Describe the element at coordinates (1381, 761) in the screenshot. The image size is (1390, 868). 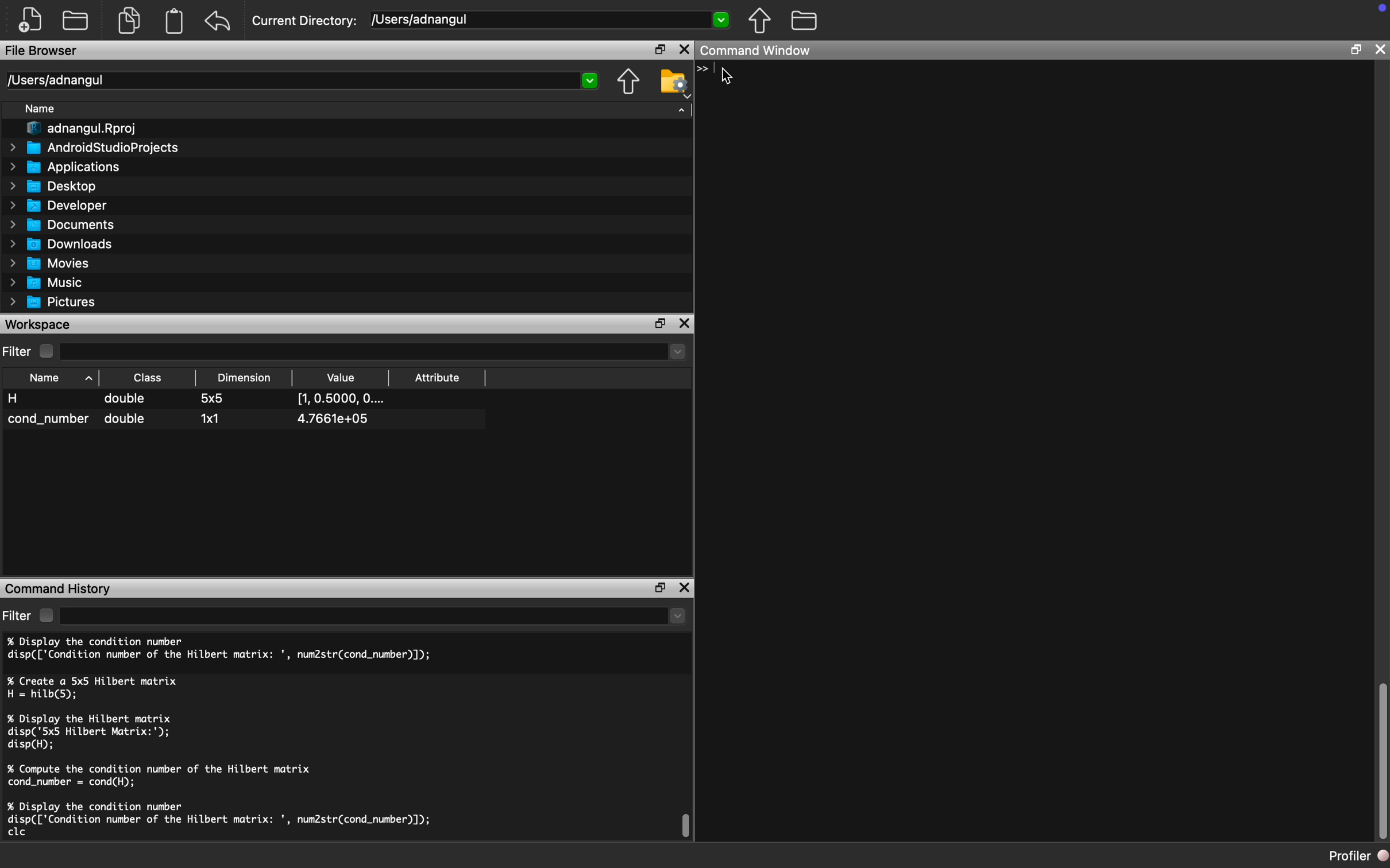
I see `Scroll` at that location.